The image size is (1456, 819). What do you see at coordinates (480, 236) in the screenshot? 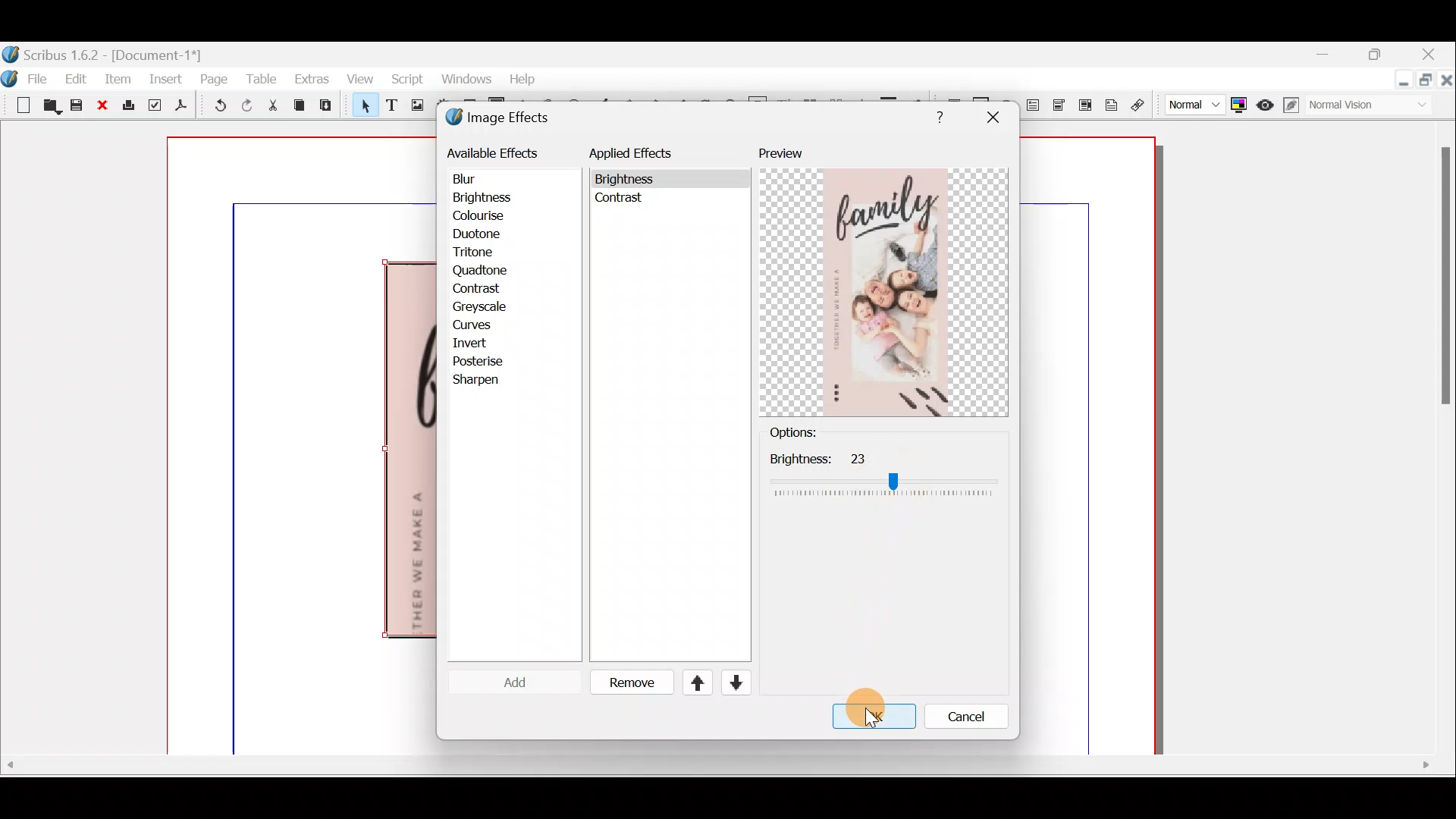
I see `Duotone` at bounding box center [480, 236].